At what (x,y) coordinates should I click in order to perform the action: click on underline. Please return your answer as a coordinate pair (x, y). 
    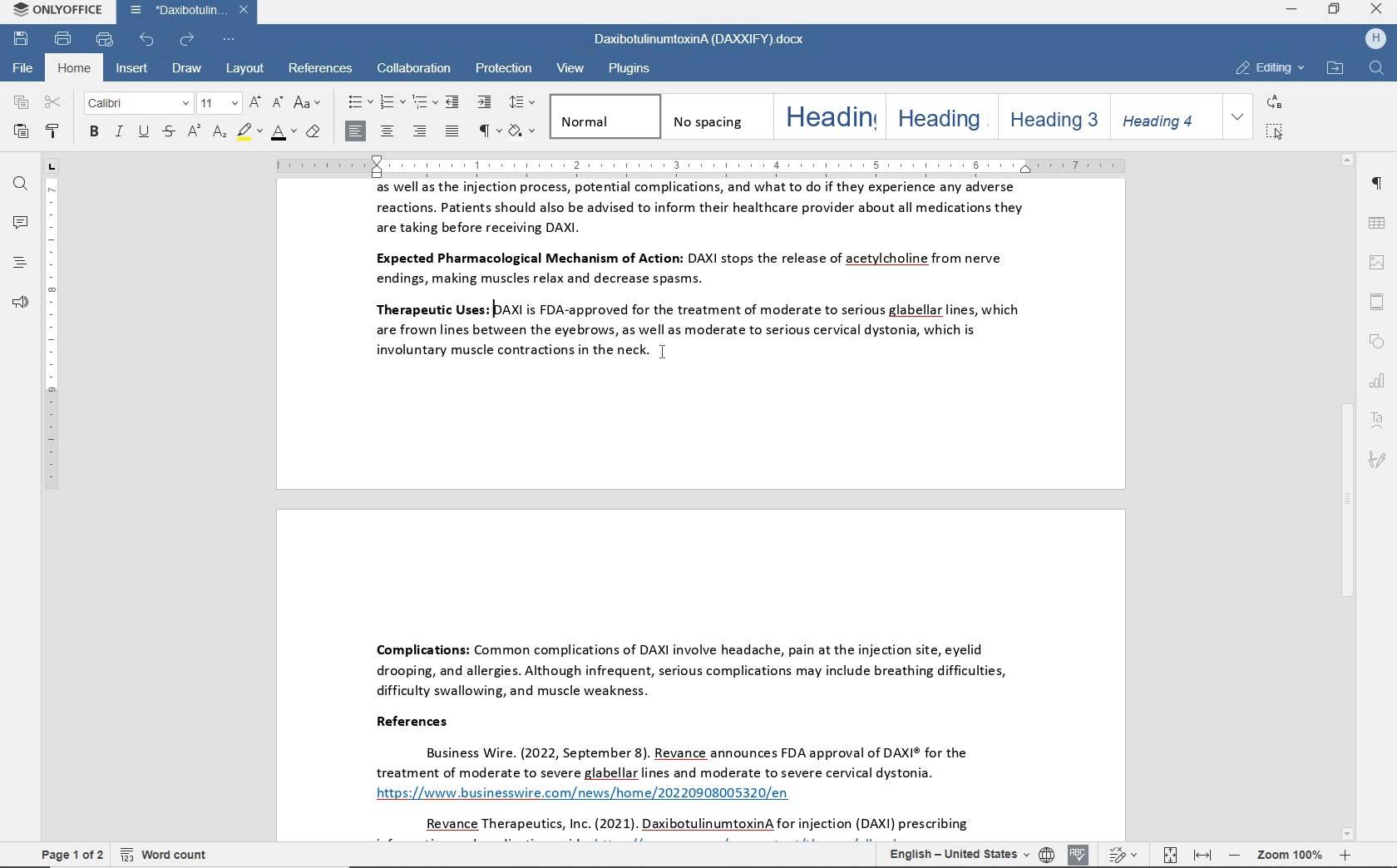
    Looking at the image, I should click on (143, 133).